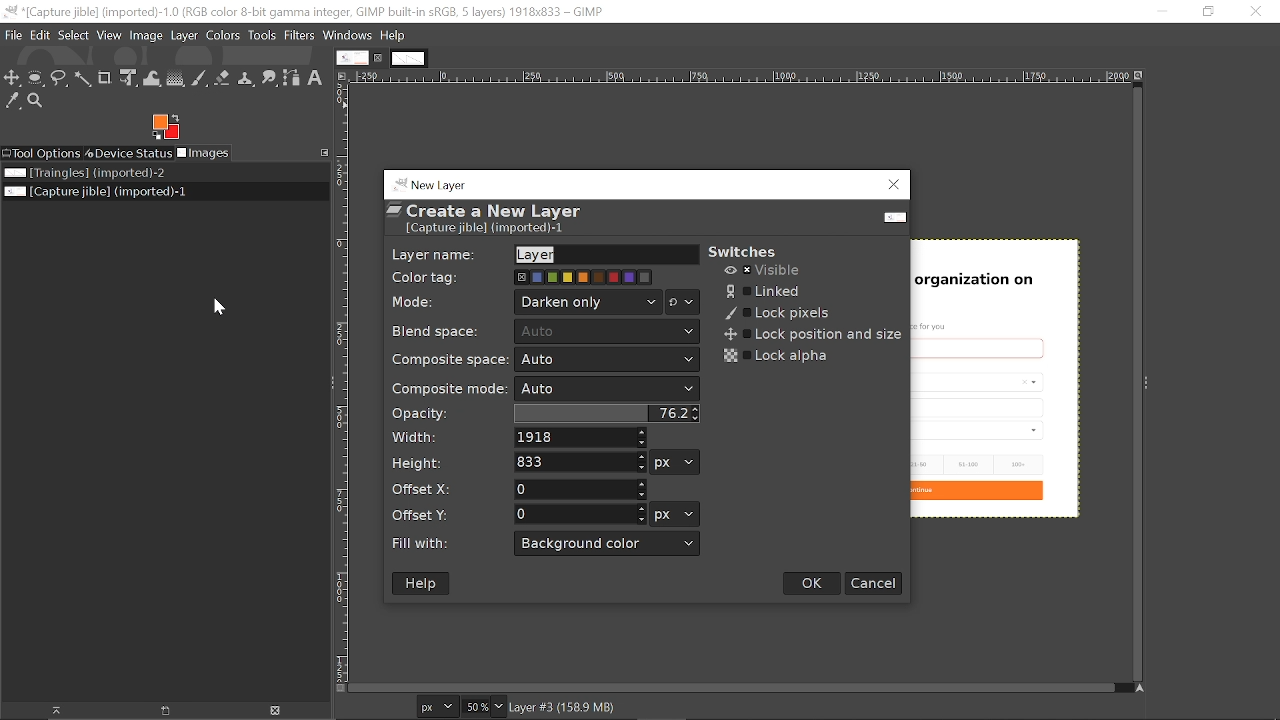 The height and width of the screenshot is (720, 1280). What do you see at coordinates (475, 706) in the screenshot?
I see `Current zoom` at bounding box center [475, 706].